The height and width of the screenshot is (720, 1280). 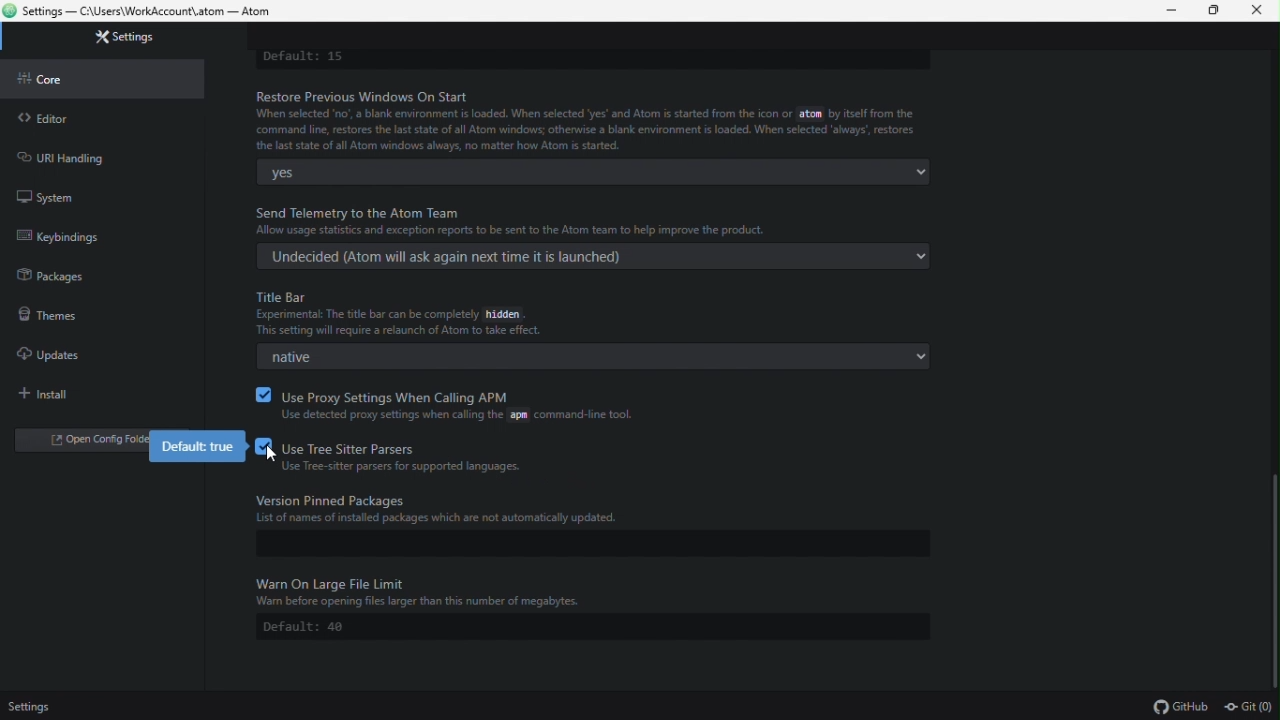 I want to click on checkbox , so click(x=261, y=446).